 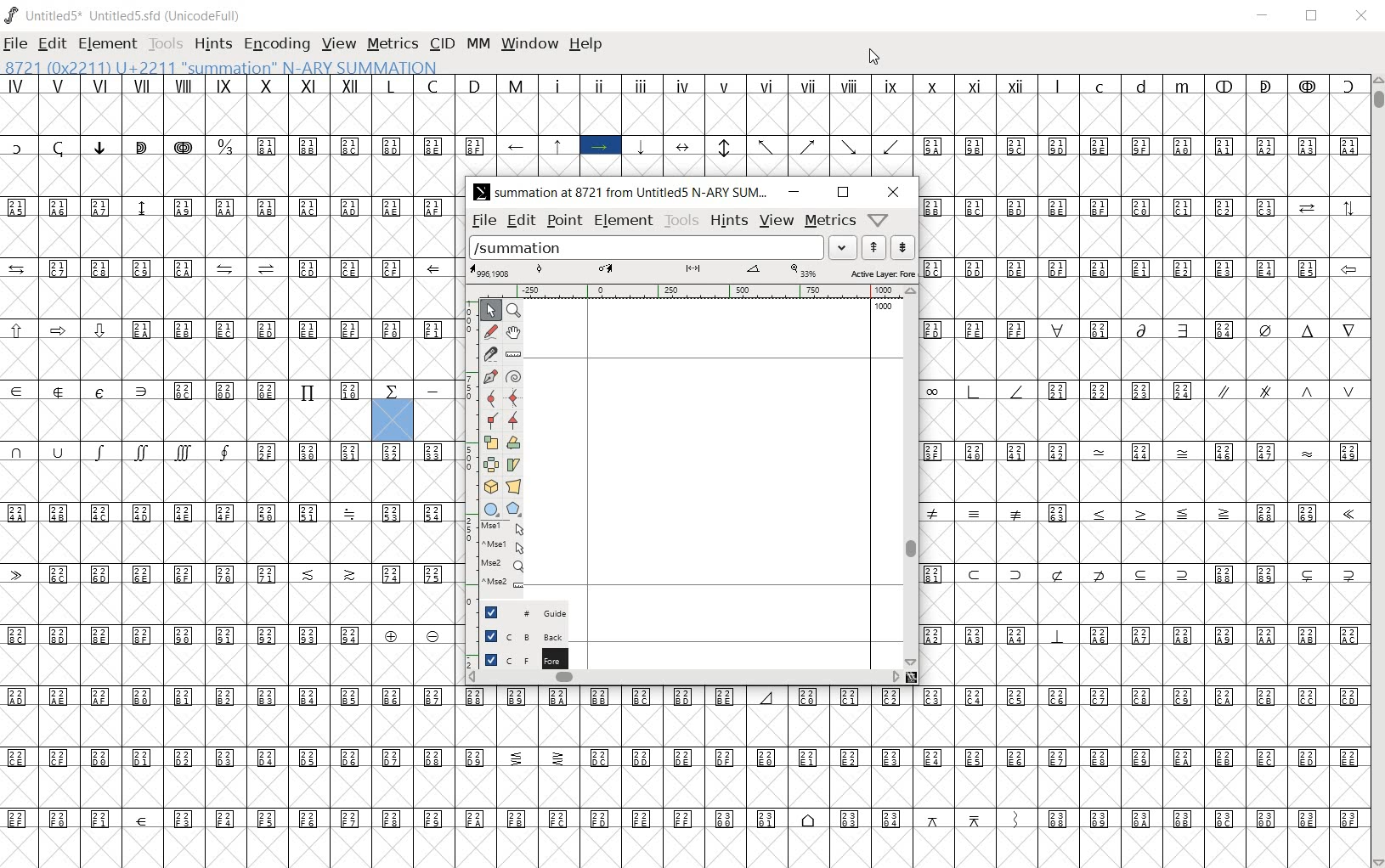 What do you see at coordinates (902, 245) in the screenshot?
I see `show the previous word on the list` at bounding box center [902, 245].